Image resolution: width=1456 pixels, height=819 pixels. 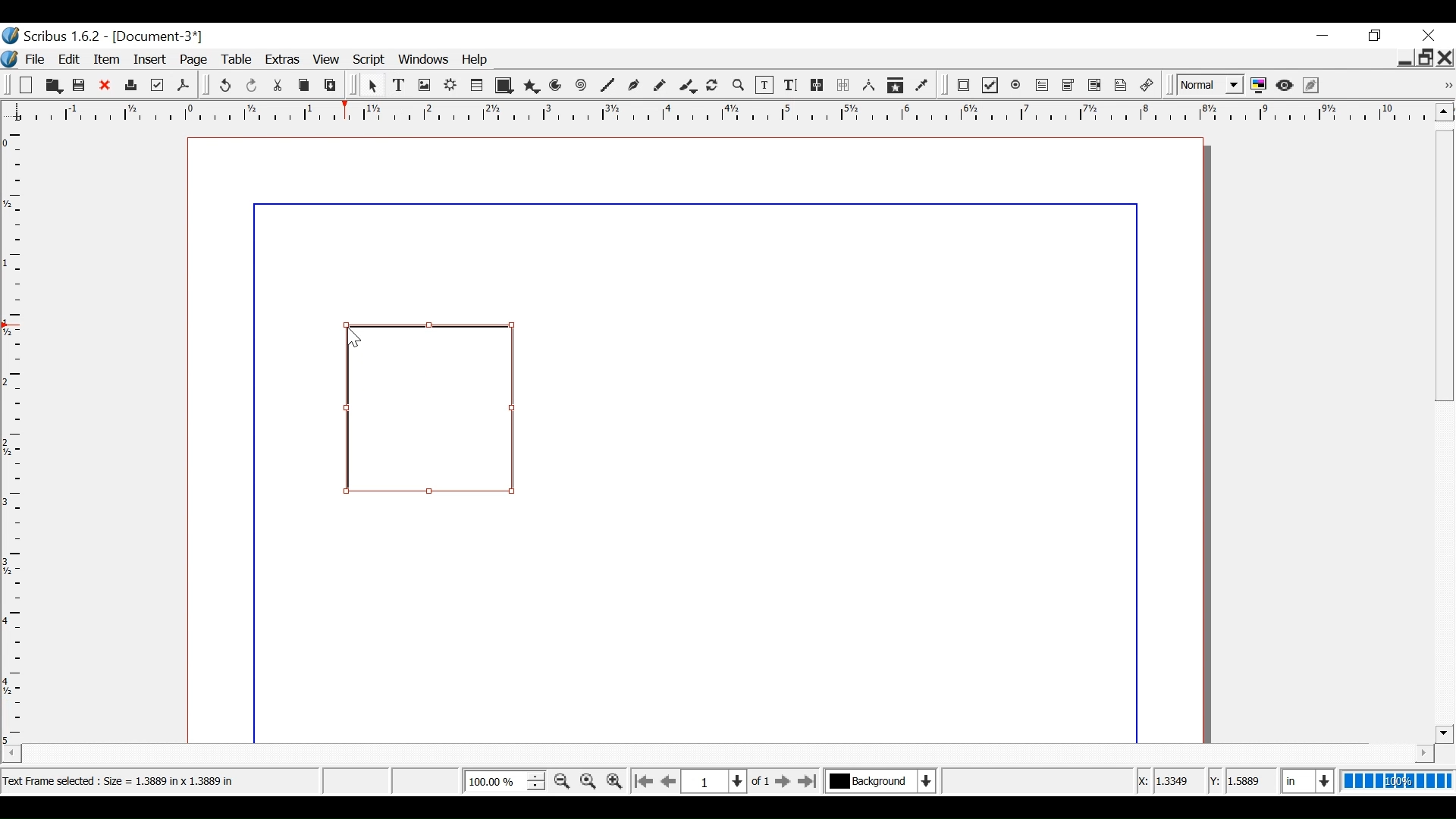 I want to click on Freehand line, so click(x=661, y=87).